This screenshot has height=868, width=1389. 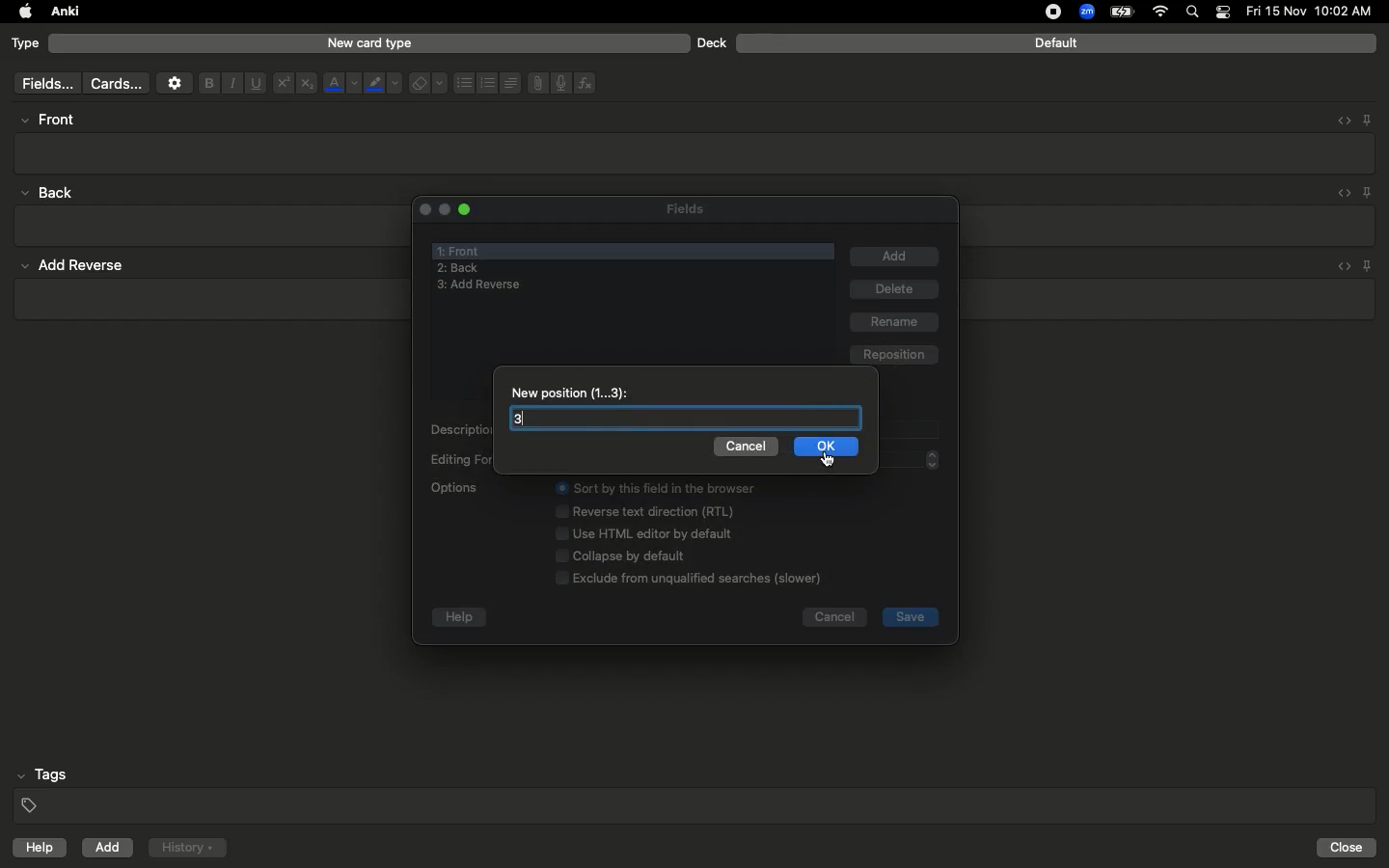 What do you see at coordinates (711, 42) in the screenshot?
I see `Deck` at bounding box center [711, 42].